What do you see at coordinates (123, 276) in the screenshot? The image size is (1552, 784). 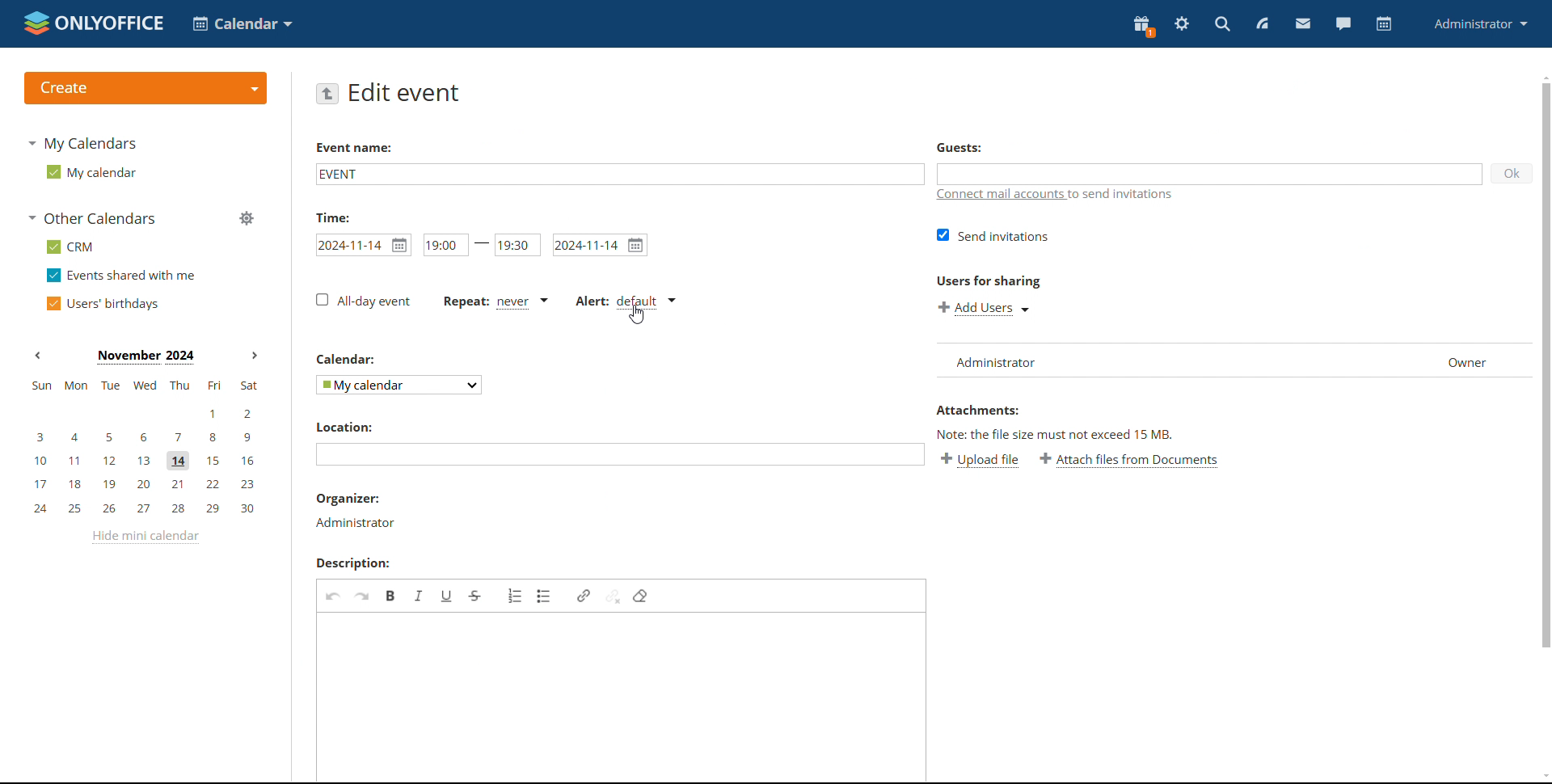 I see `events shared with me` at bounding box center [123, 276].